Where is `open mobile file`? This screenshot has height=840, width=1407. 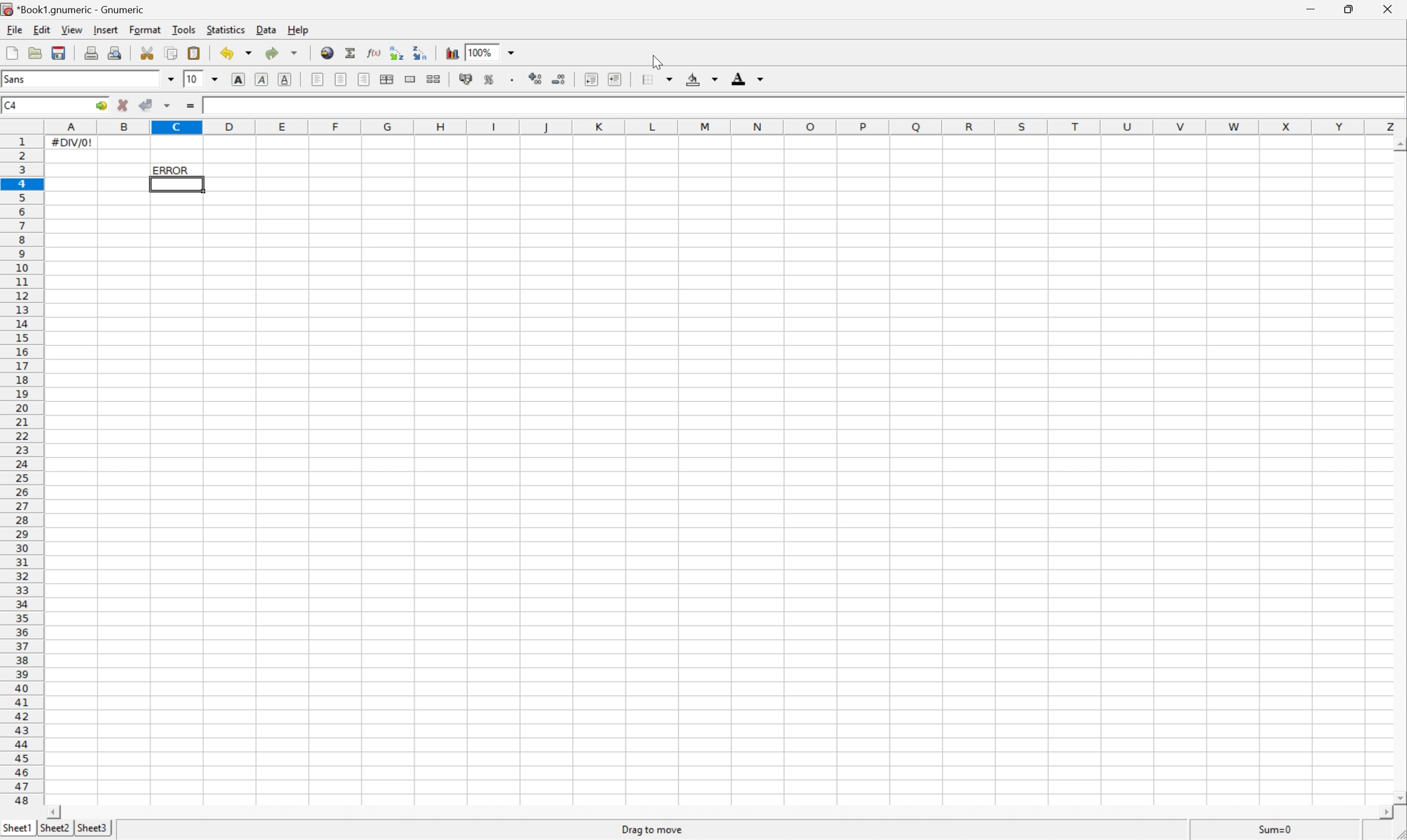 open mobile file is located at coordinates (36, 53).